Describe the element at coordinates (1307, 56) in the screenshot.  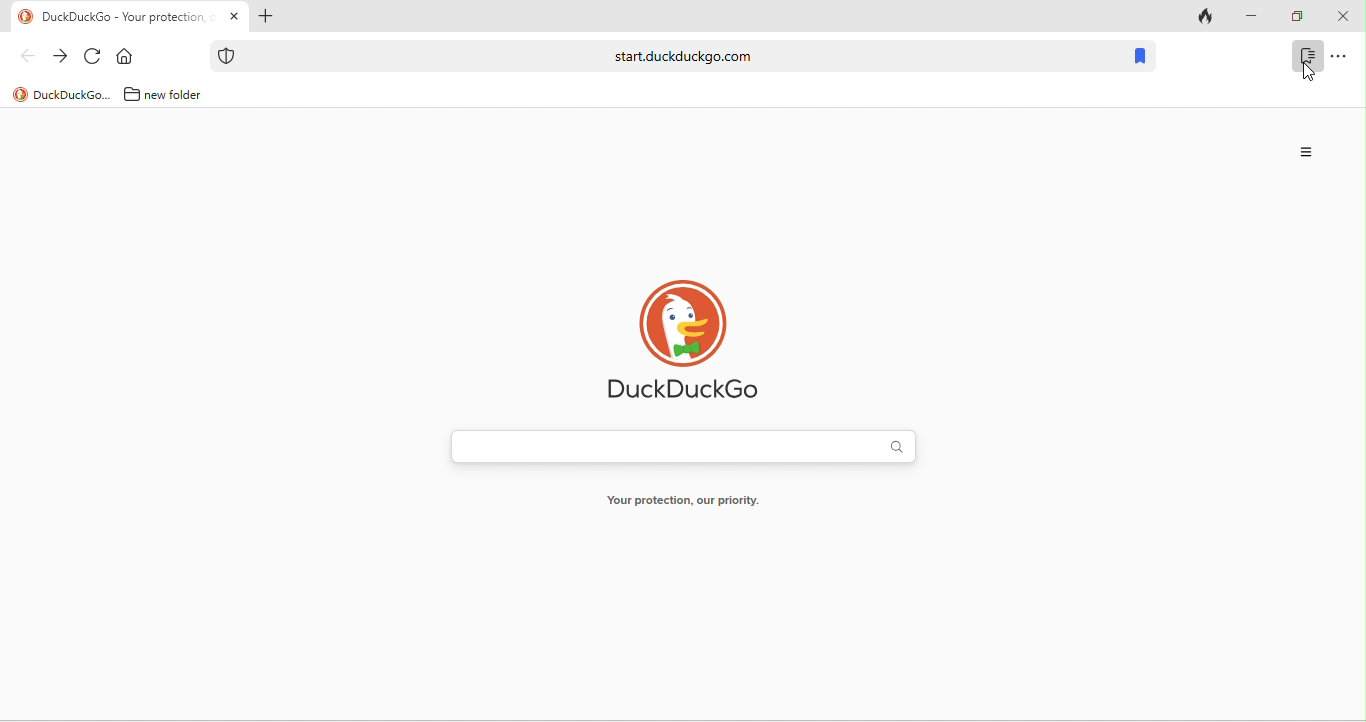
I see `bookmark` at that location.